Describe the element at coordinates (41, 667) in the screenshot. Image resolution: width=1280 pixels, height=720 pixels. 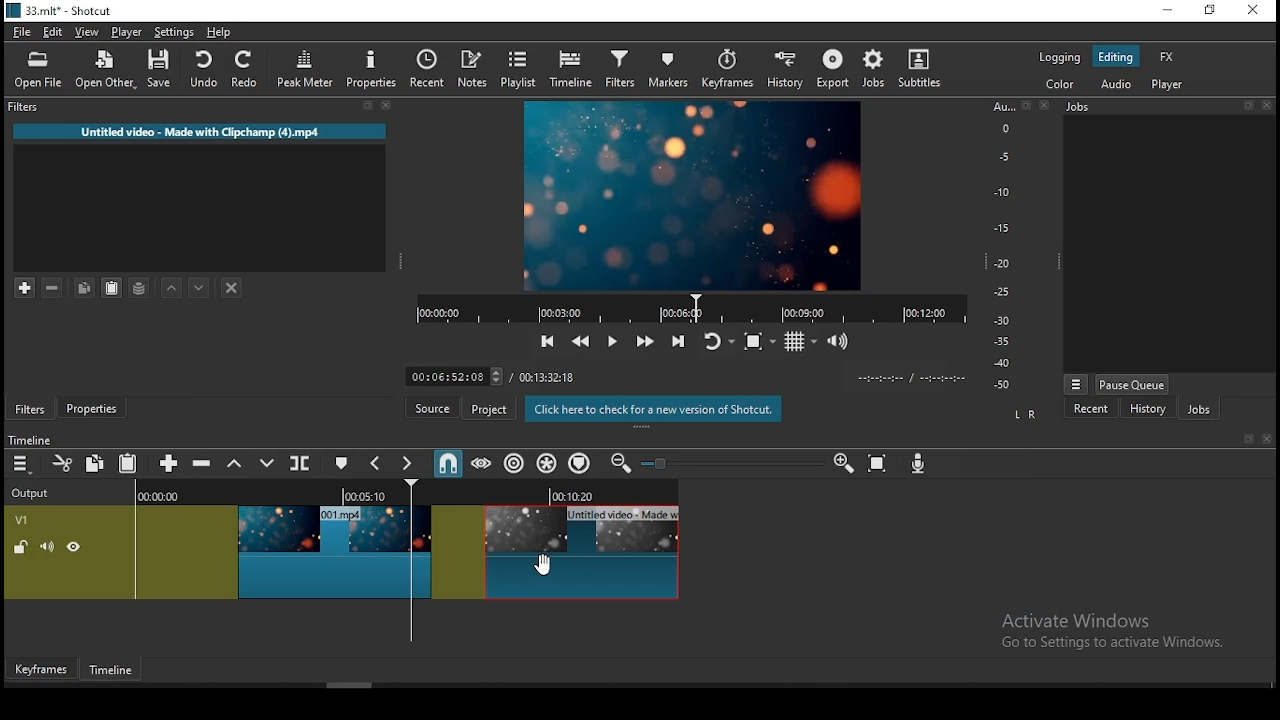
I see `Keyframe` at that location.